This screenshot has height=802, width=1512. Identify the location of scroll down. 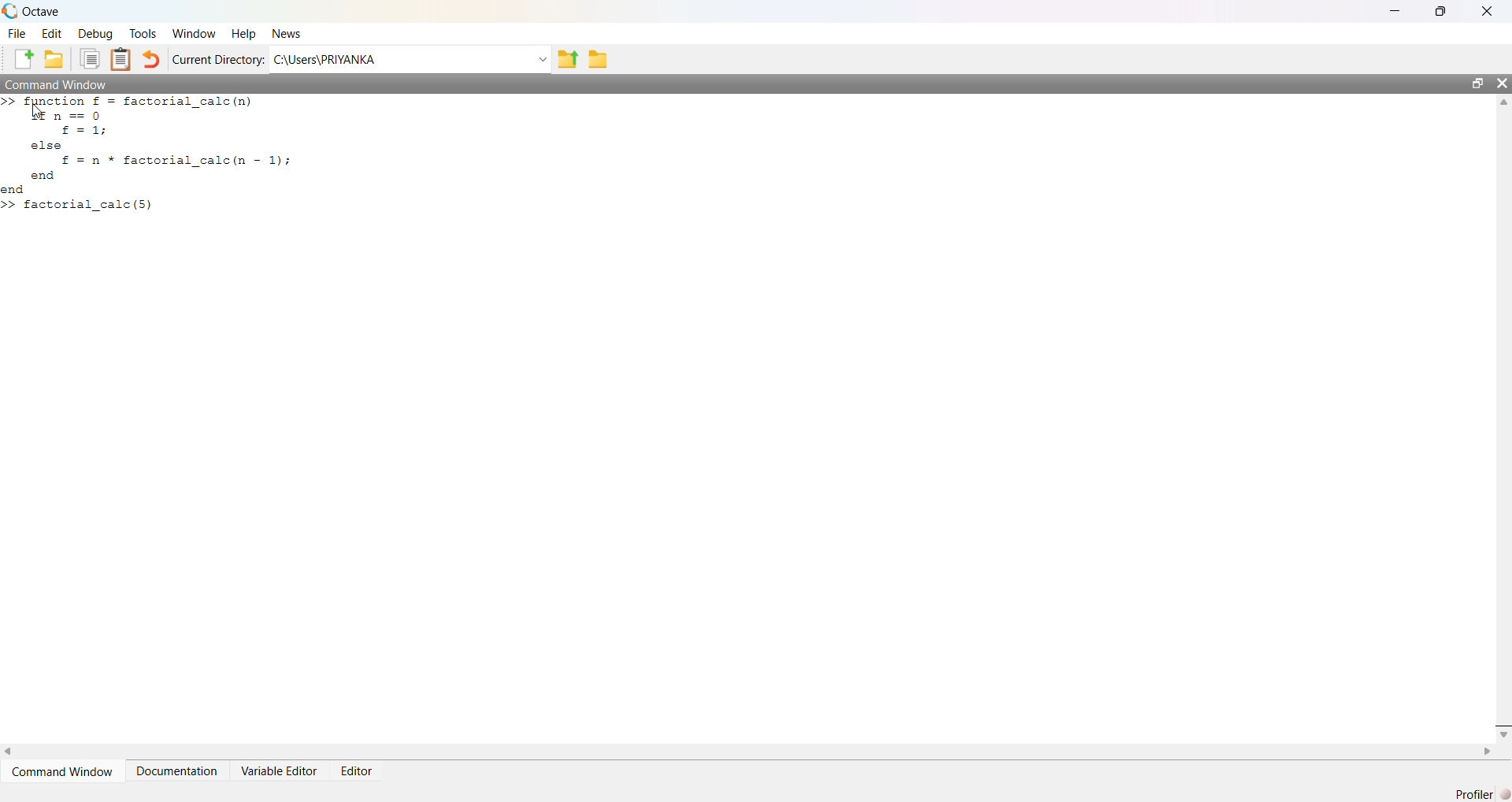
(1502, 733).